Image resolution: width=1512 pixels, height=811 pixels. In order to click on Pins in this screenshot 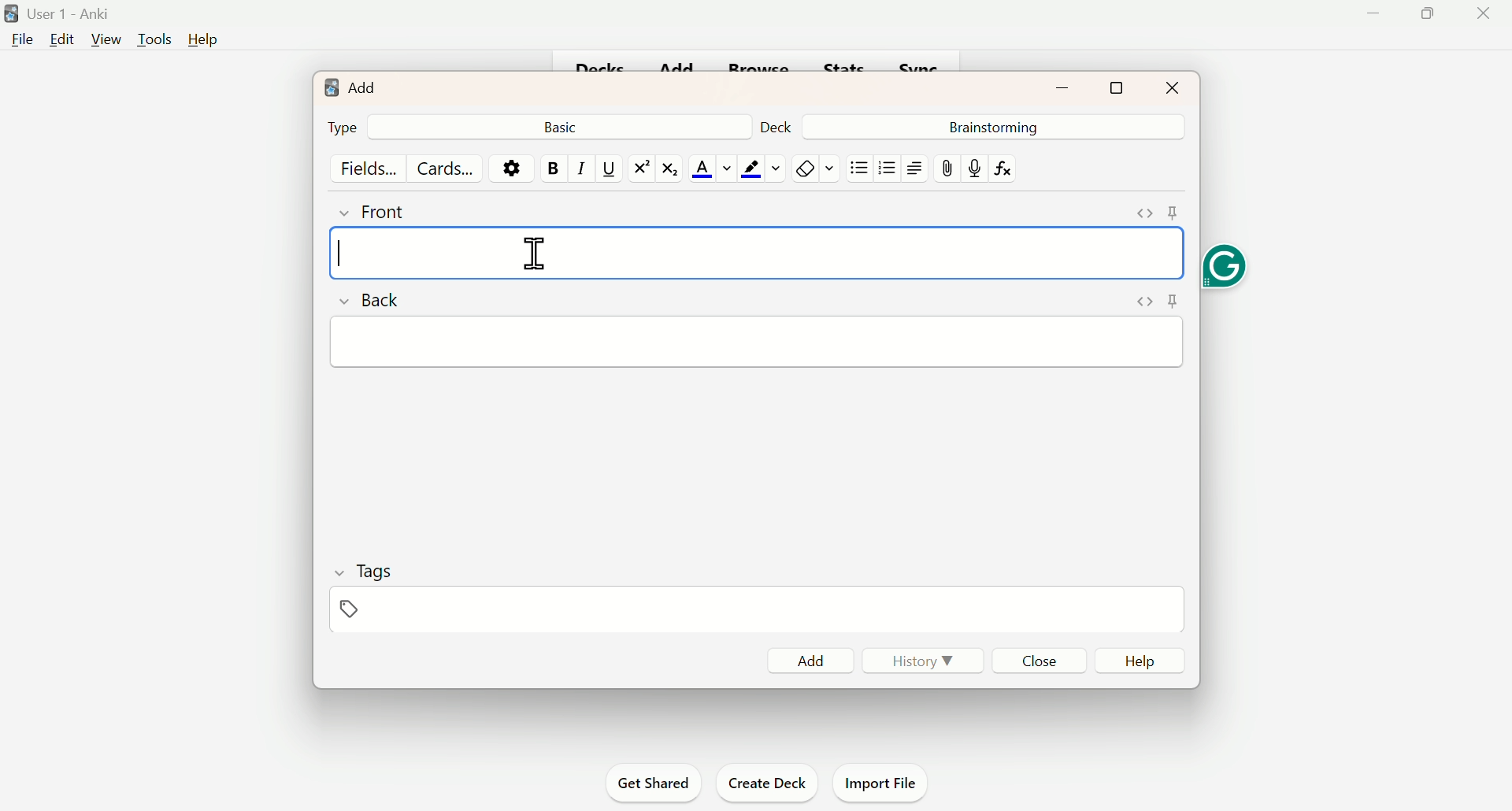, I will do `click(1152, 302)`.